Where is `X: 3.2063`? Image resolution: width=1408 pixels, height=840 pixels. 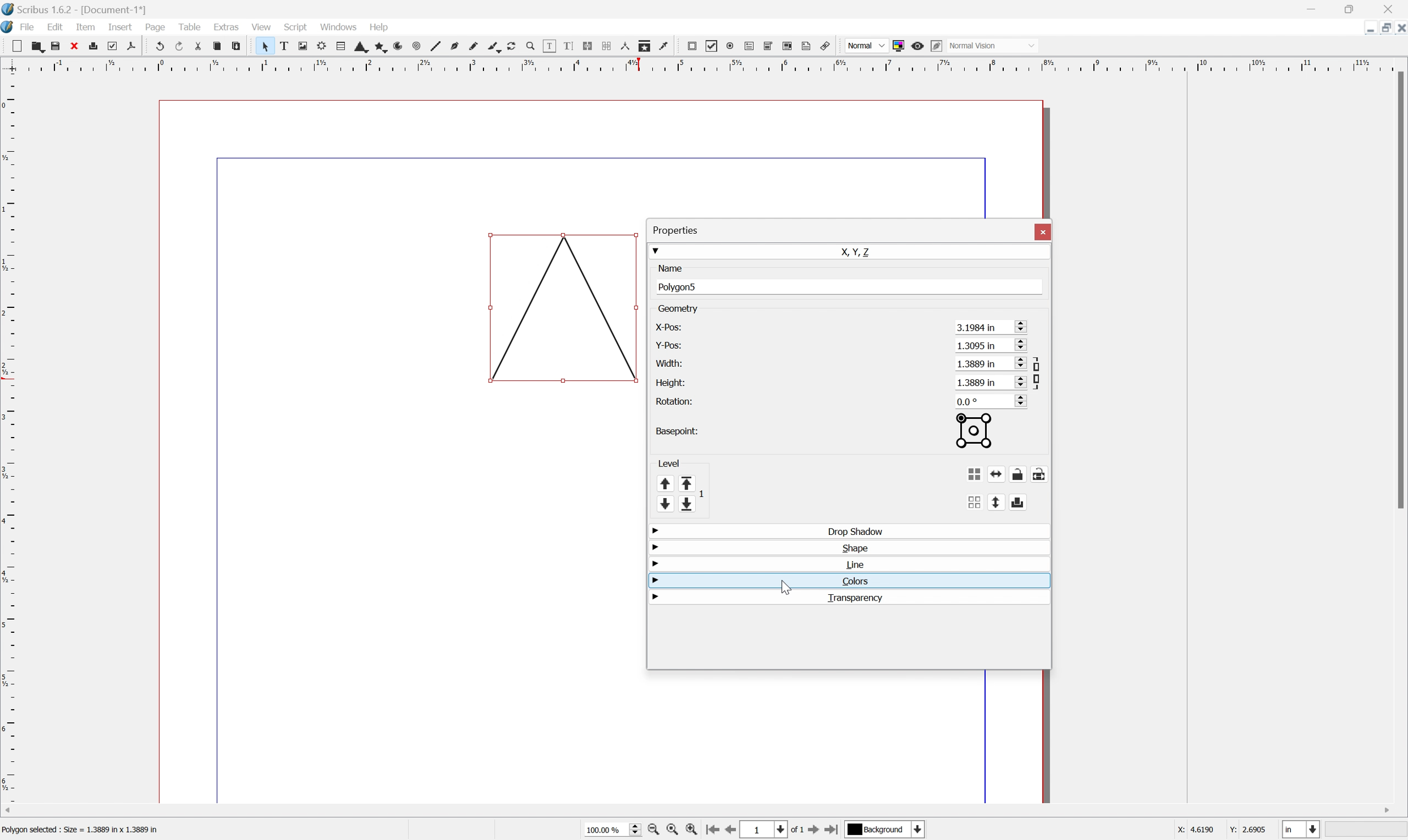
X: 3.2063 is located at coordinates (1192, 830).